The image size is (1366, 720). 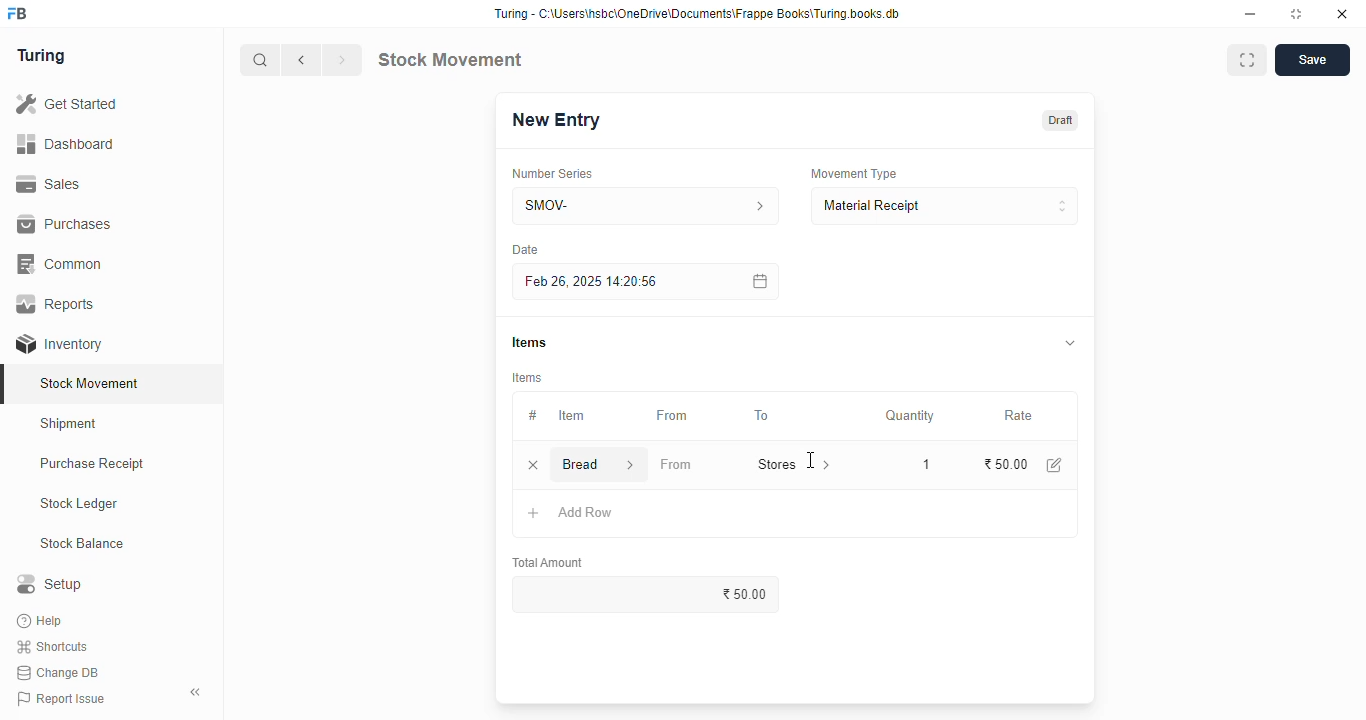 What do you see at coordinates (1007, 464) in the screenshot?
I see `₹50.00` at bounding box center [1007, 464].